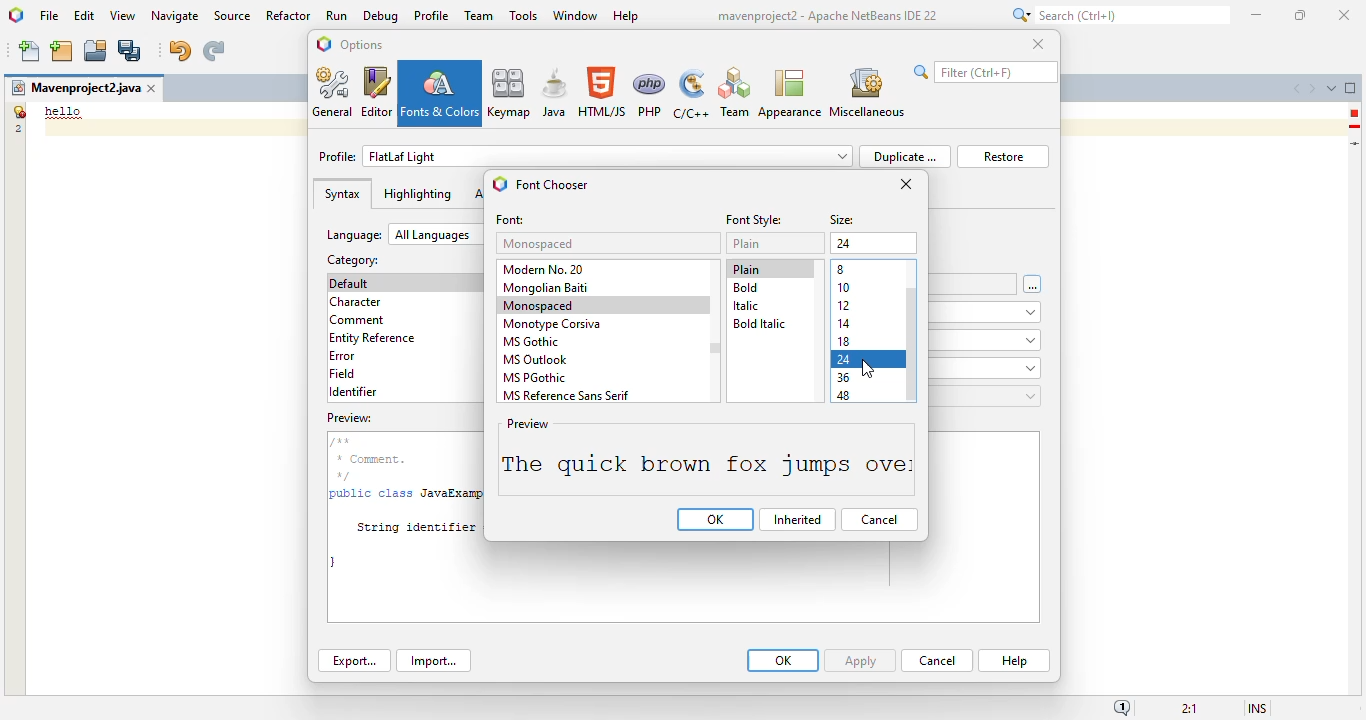 This screenshot has height=720, width=1366. Describe the element at coordinates (1038, 43) in the screenshot. I see `close` at that location.